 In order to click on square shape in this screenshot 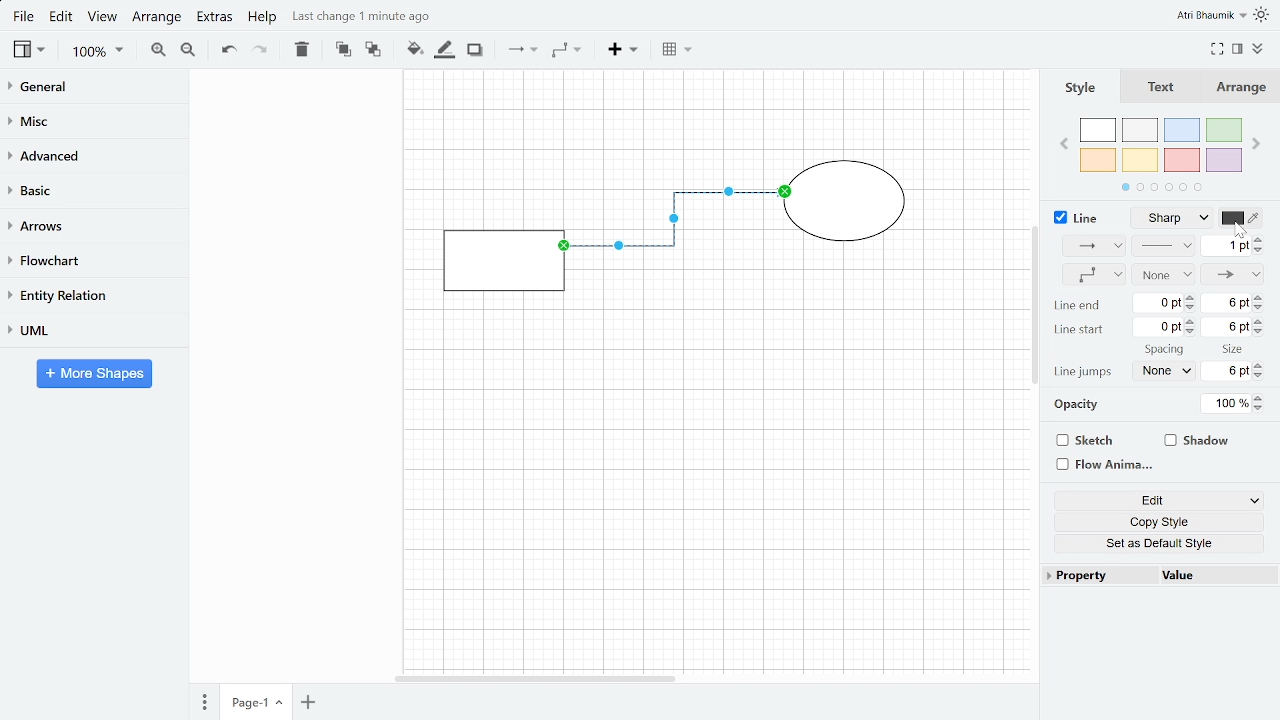, I will do `click(502, 260)`.